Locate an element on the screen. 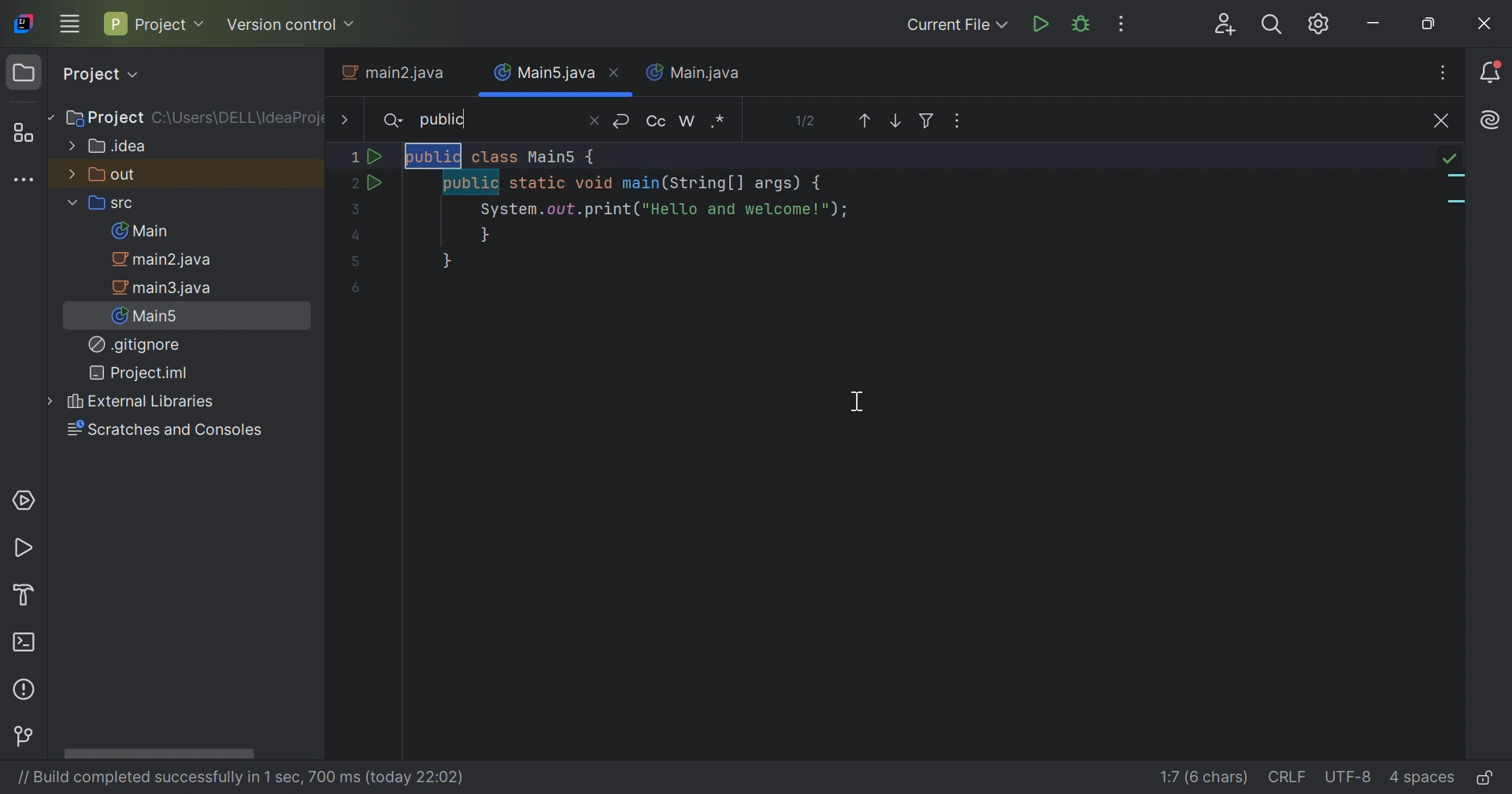 The width and height of the screenshot is (1512, 794). 0 results is located at coordinates (792, 121).